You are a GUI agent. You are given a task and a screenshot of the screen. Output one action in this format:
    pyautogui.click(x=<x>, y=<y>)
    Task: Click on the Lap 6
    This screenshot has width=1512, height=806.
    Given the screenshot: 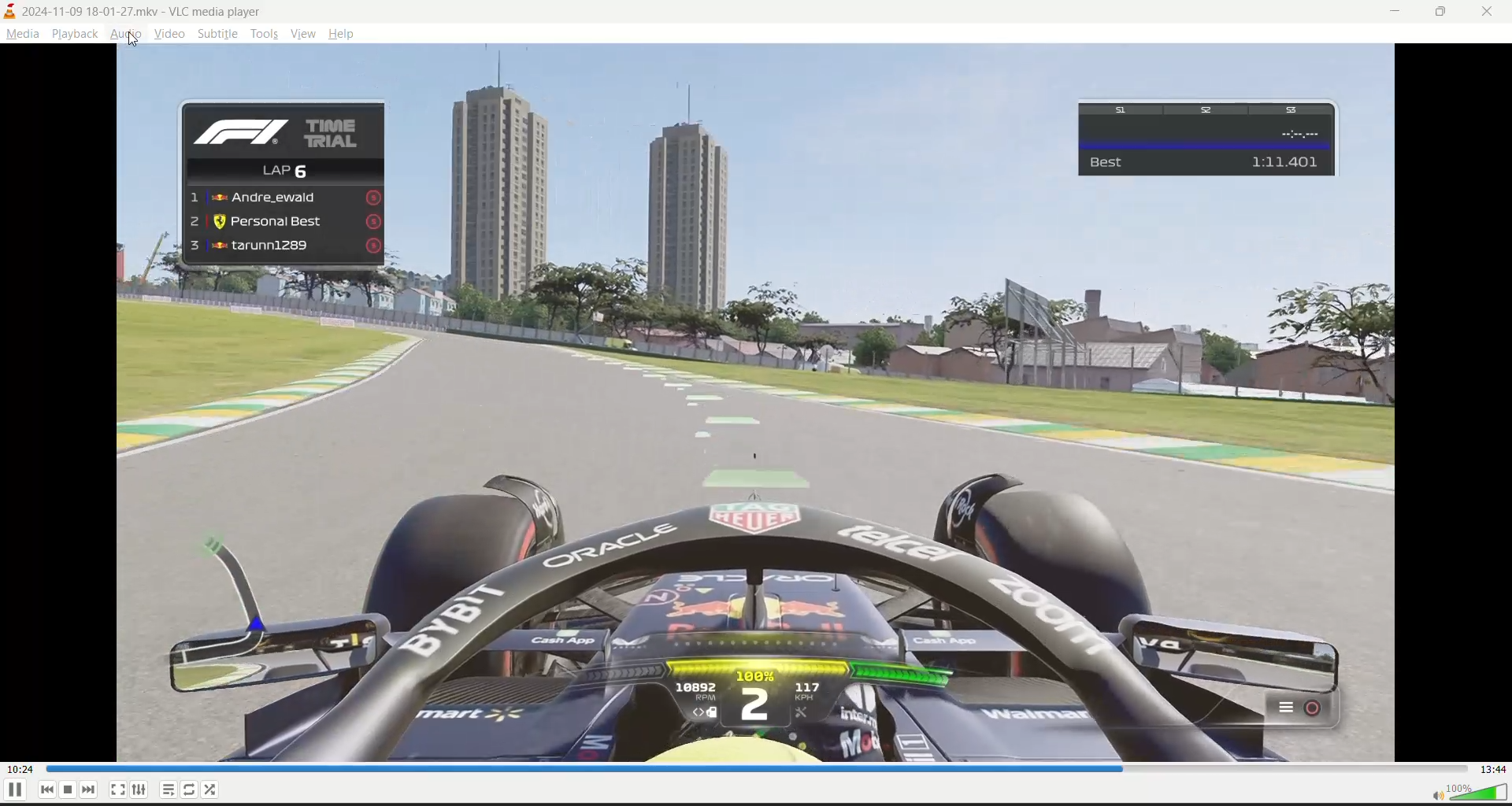 What is the action you would take?
    pyautogui.click(x=290, y=170)
    